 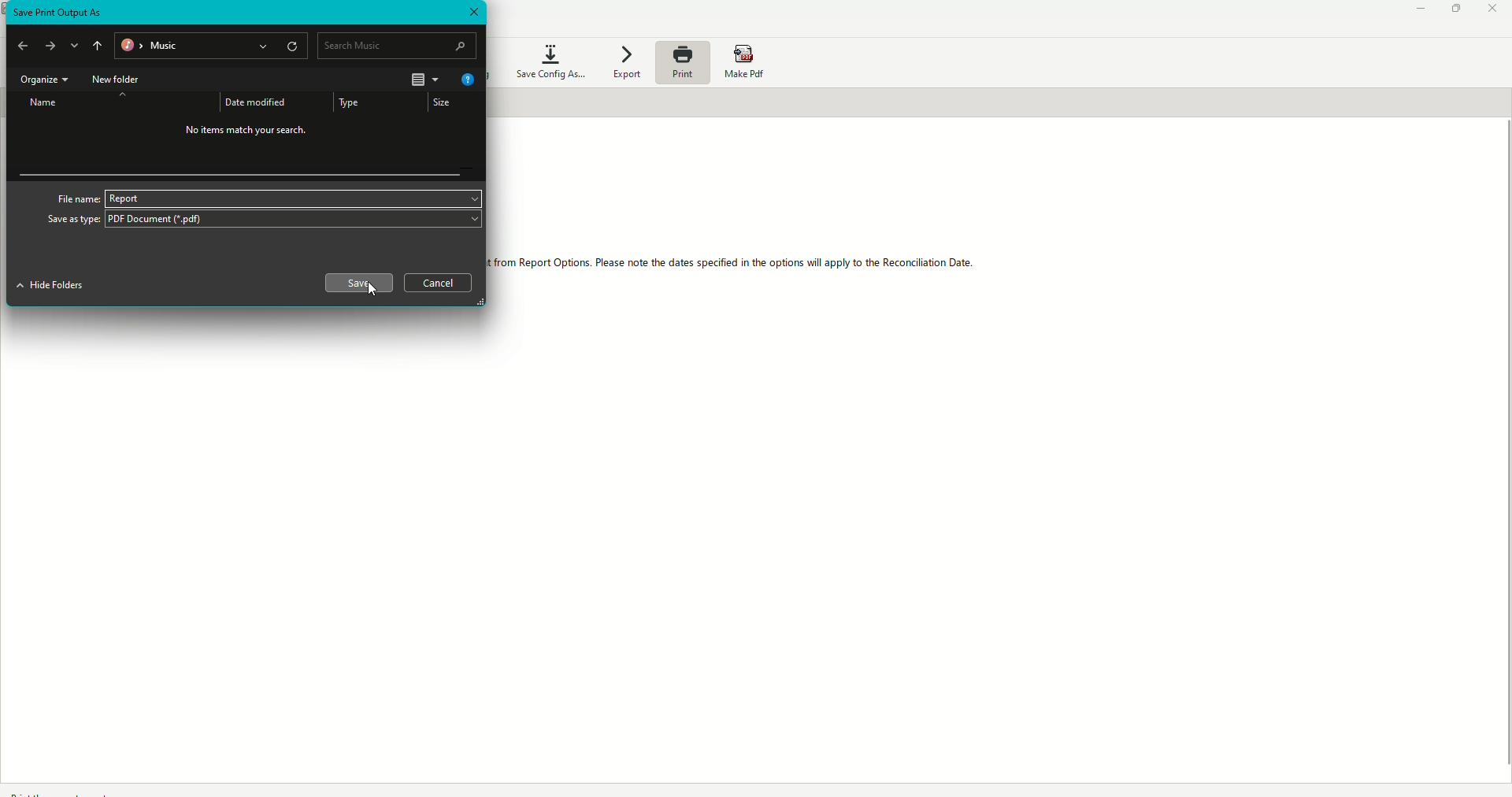 What do you see at coordinates (258, 100) in the screenshot?
I see `Date modified` at bounding box center [258, 100].